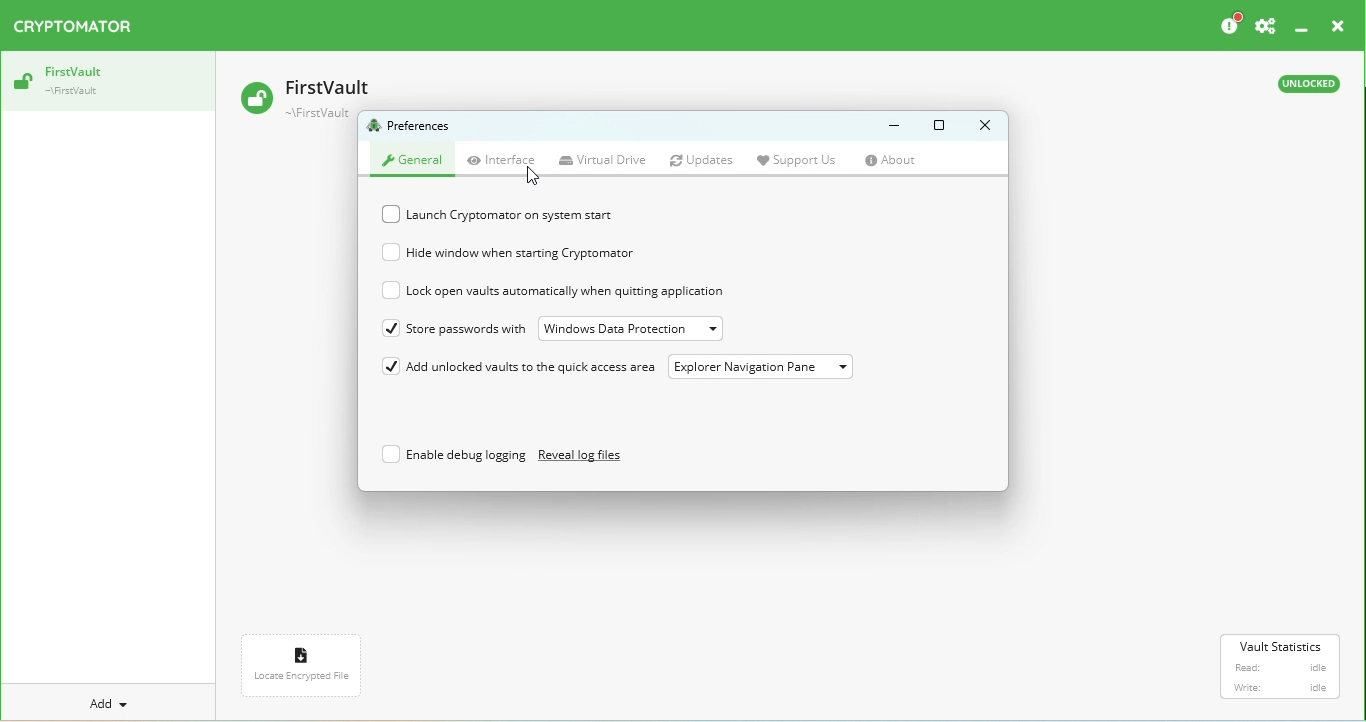  What do you see at coordinates (305, 670) in the screenshot?
I see `Locate encrypted file` at bounding box center [305, 670].